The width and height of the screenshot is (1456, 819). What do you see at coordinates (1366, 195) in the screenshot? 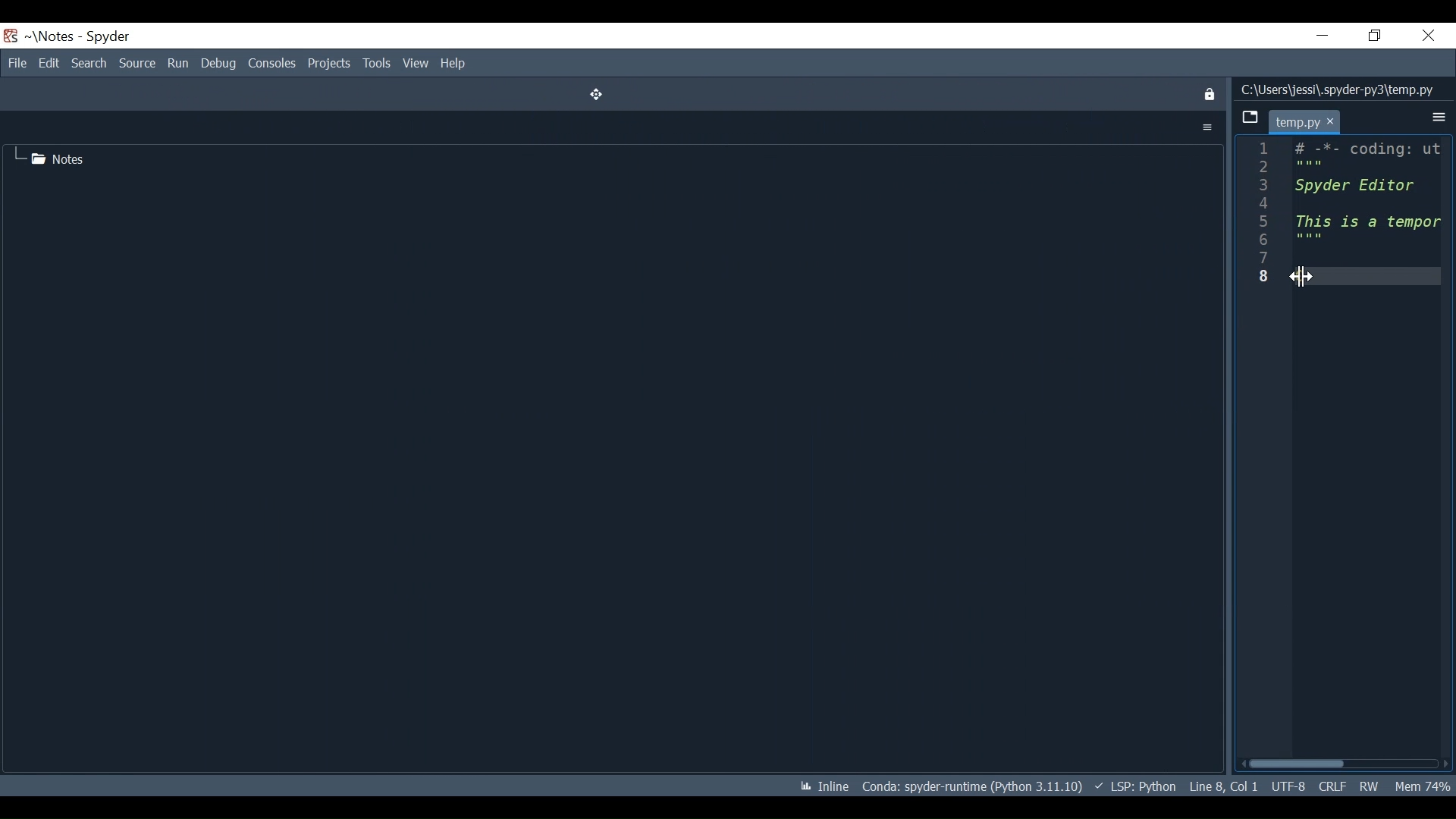
I see `# -*- coding: ut: Spyder Editor This is a tempor` at bounding box center [1366, 195].